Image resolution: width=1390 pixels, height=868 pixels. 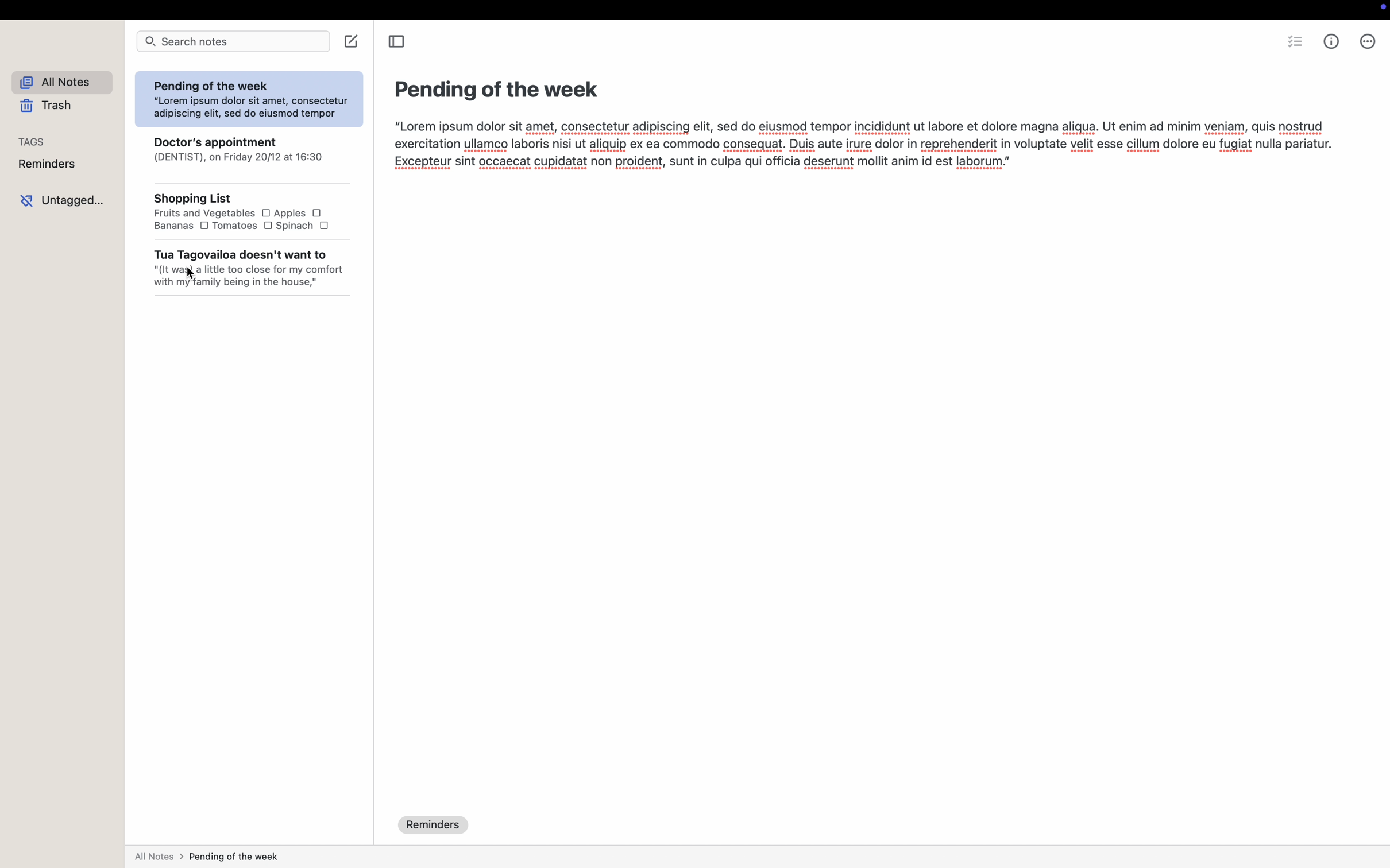 What do you see at coordinates (396, 43) in the screenshot?
I see `toggle sidebar` at bounding box center [396, 43].